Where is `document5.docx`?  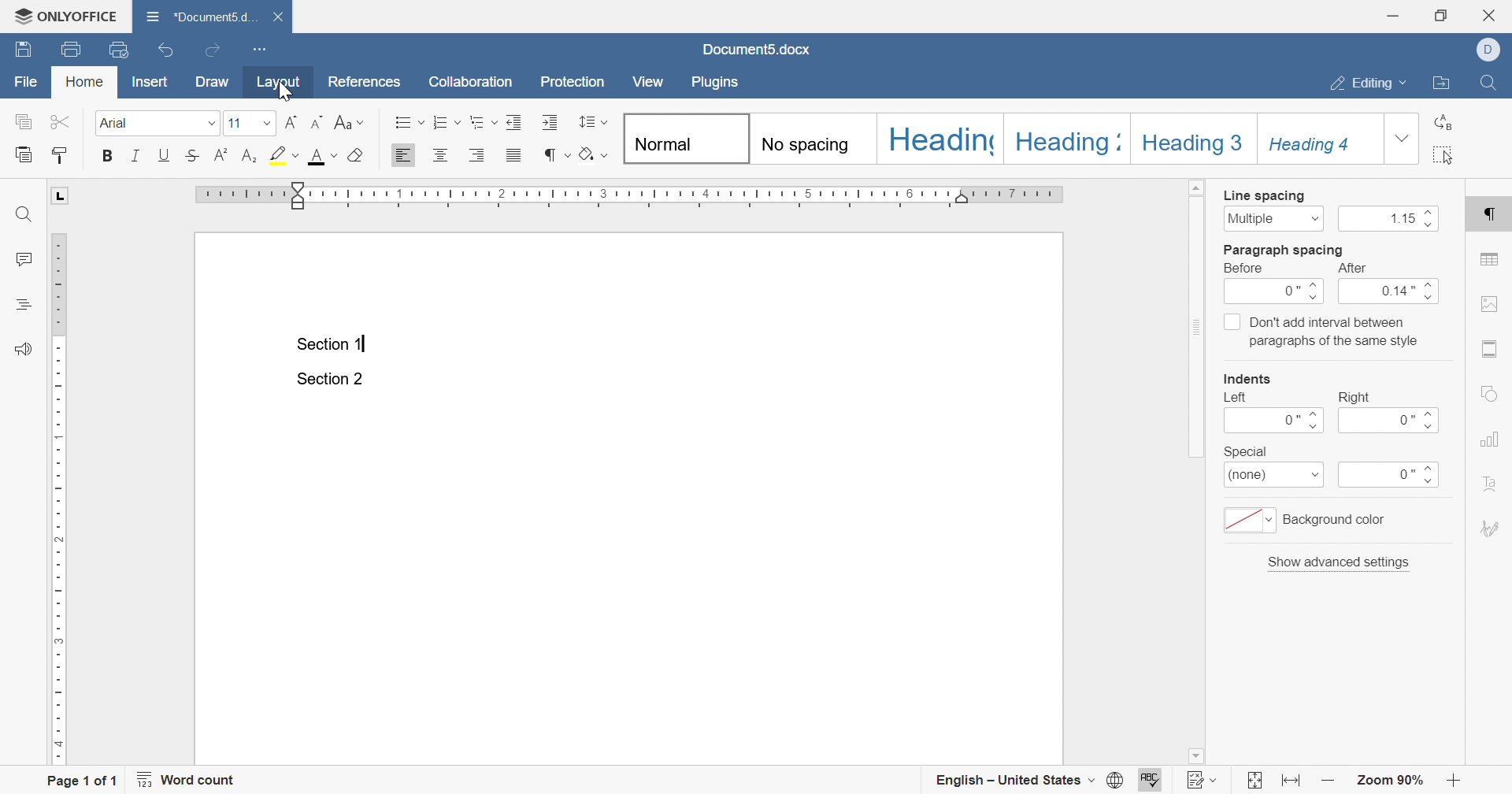
document5.docx is located at coordinates (755, 50).